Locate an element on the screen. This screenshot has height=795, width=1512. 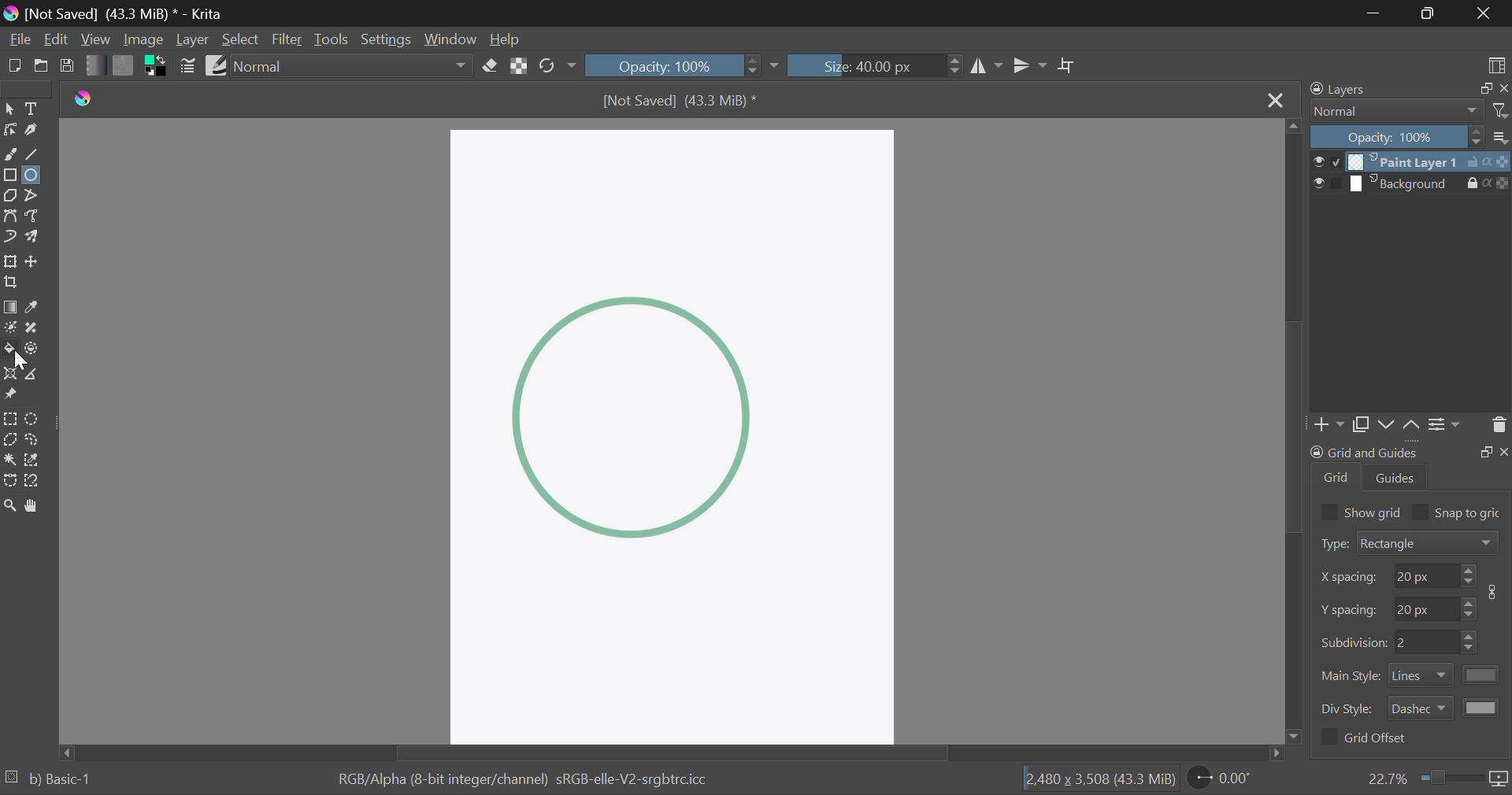
Pan is located at coordinates (33, 506).